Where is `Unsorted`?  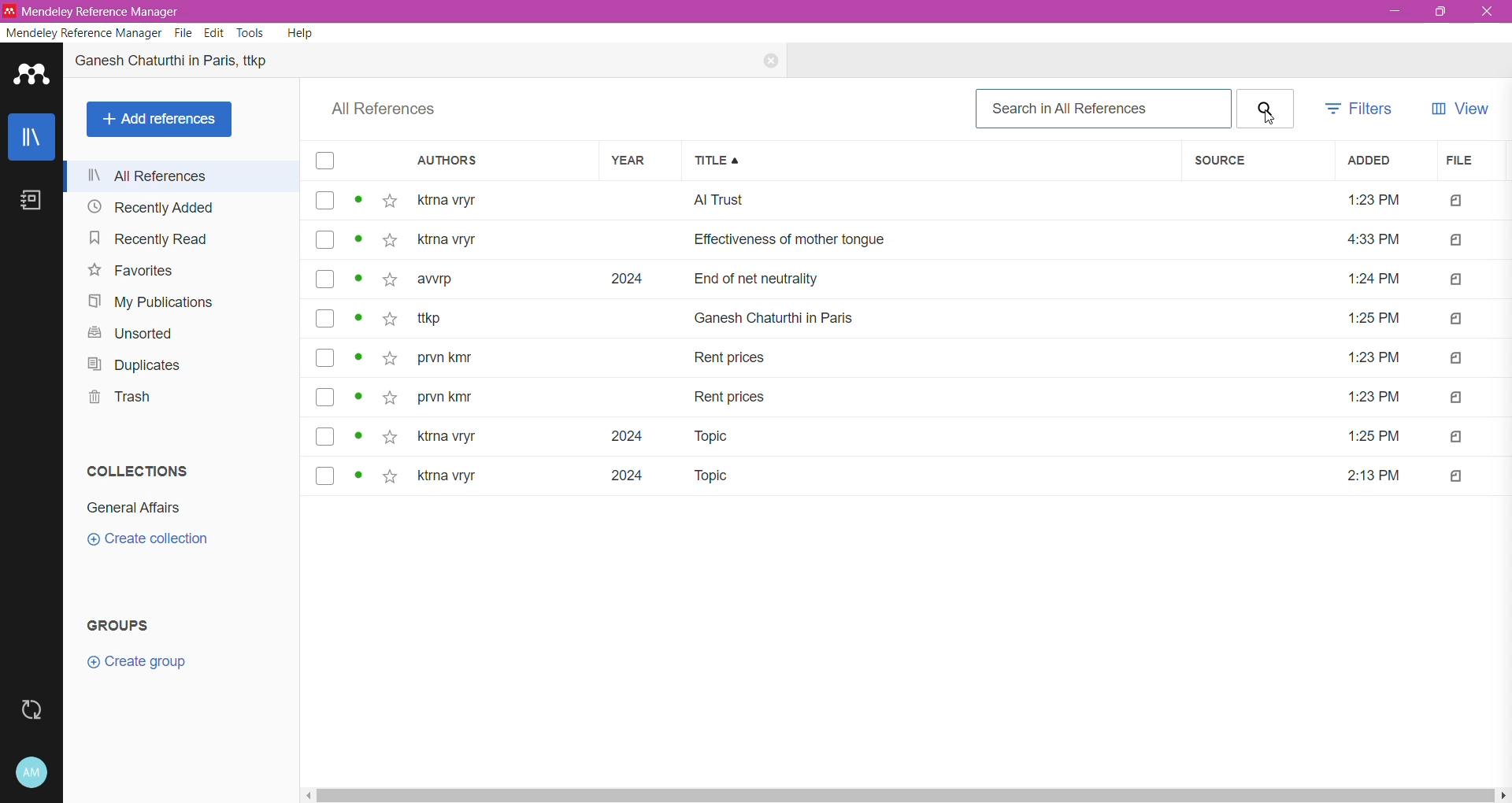
Unsorted is located at coordinates (128, 334).